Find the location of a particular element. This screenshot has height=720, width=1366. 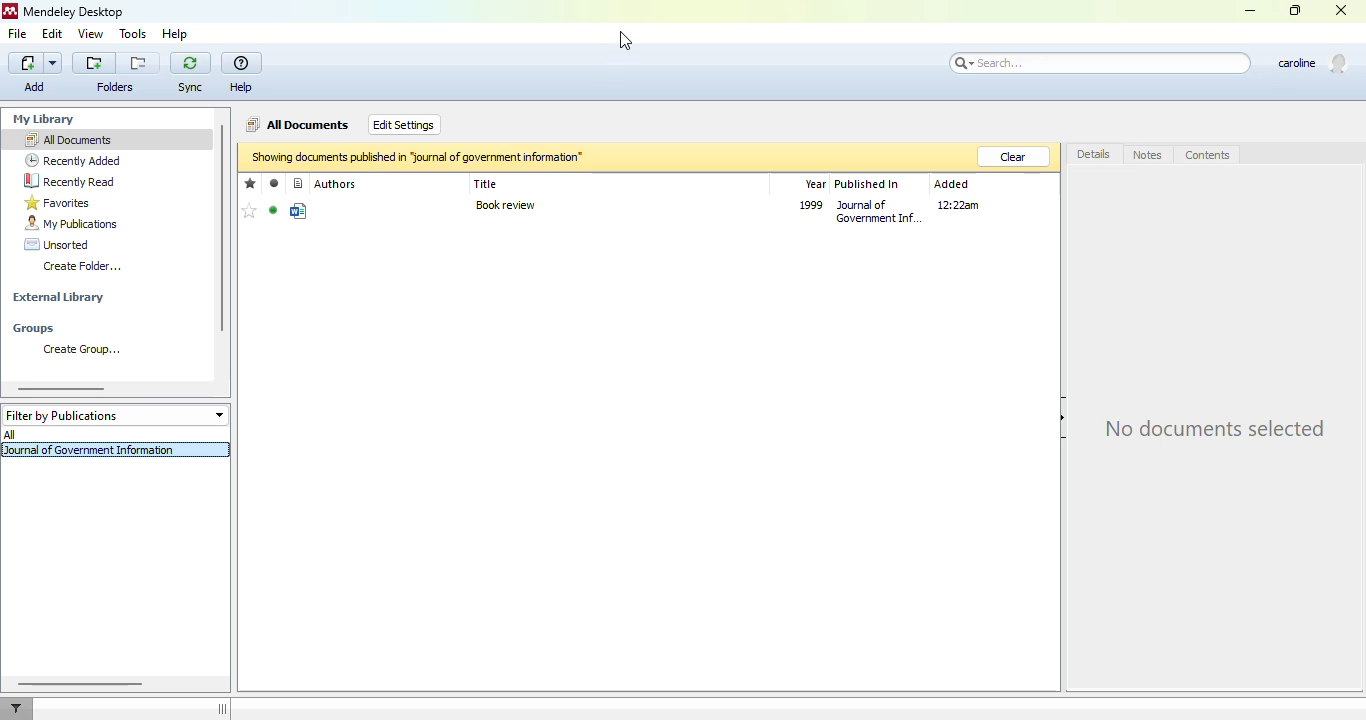

external library is located at coordinates (59, 297).